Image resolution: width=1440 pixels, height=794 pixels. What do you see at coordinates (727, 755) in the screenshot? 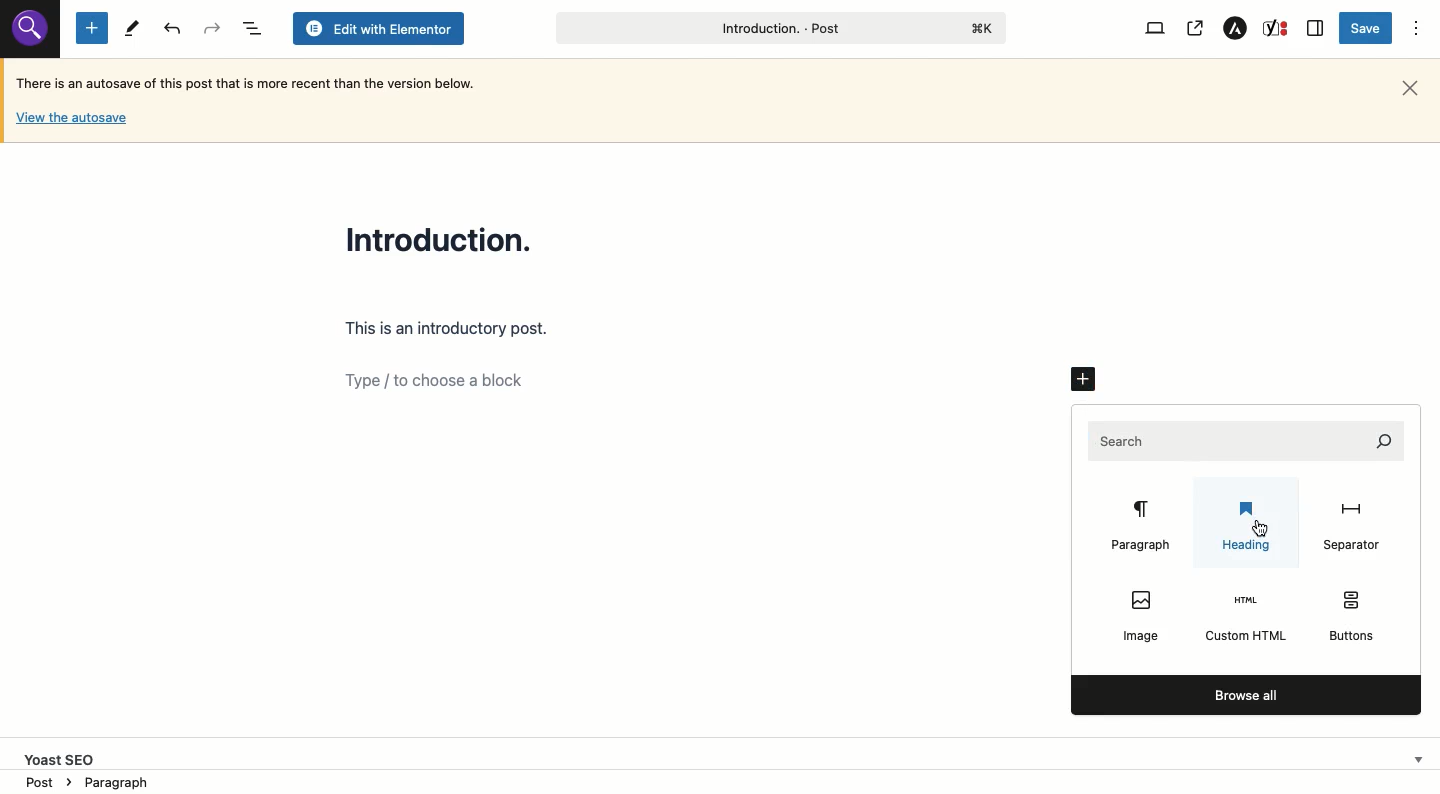
I see `Yoast SEO` at bounding box center [727, 755].